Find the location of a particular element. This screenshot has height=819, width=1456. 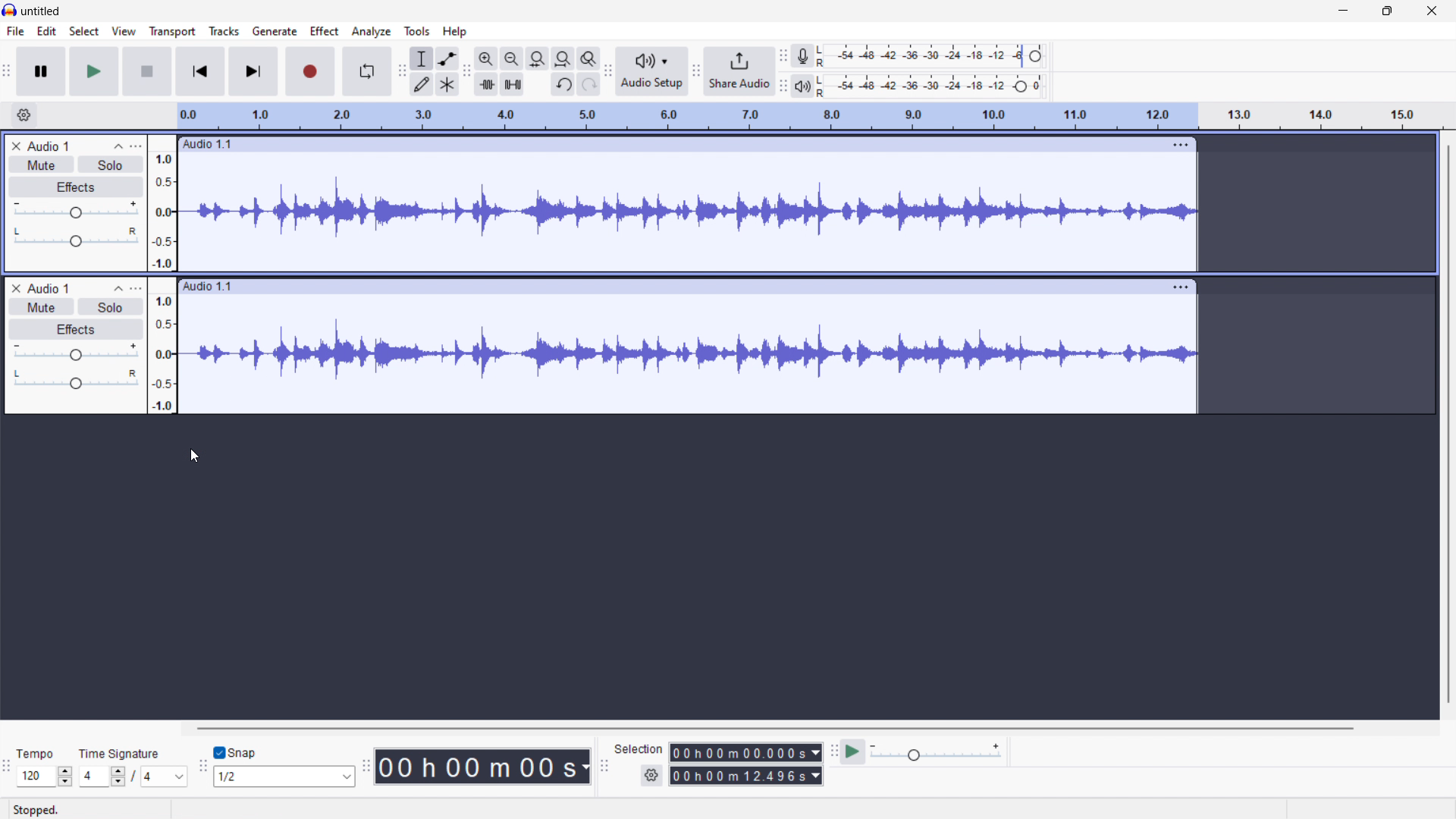

/4 is located at coordinates (146, 777).